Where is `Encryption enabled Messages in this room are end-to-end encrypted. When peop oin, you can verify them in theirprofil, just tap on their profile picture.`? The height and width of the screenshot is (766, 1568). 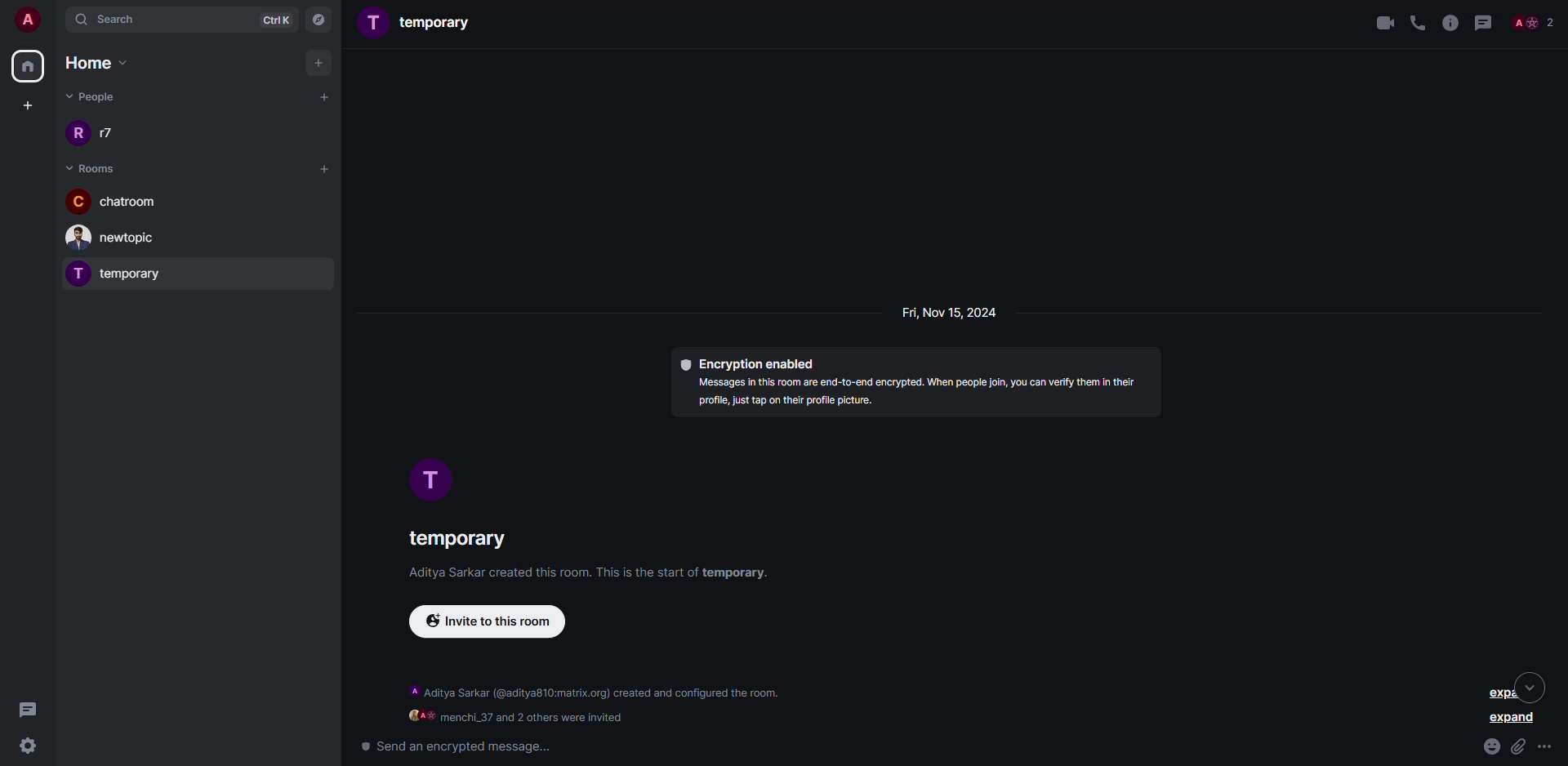
Encryption enabled Messages in this room are end-to-end encrypted. When peop oin, you can verify them in theirprofil, just tap on their profile picture. is located at coordinates (906, 386).